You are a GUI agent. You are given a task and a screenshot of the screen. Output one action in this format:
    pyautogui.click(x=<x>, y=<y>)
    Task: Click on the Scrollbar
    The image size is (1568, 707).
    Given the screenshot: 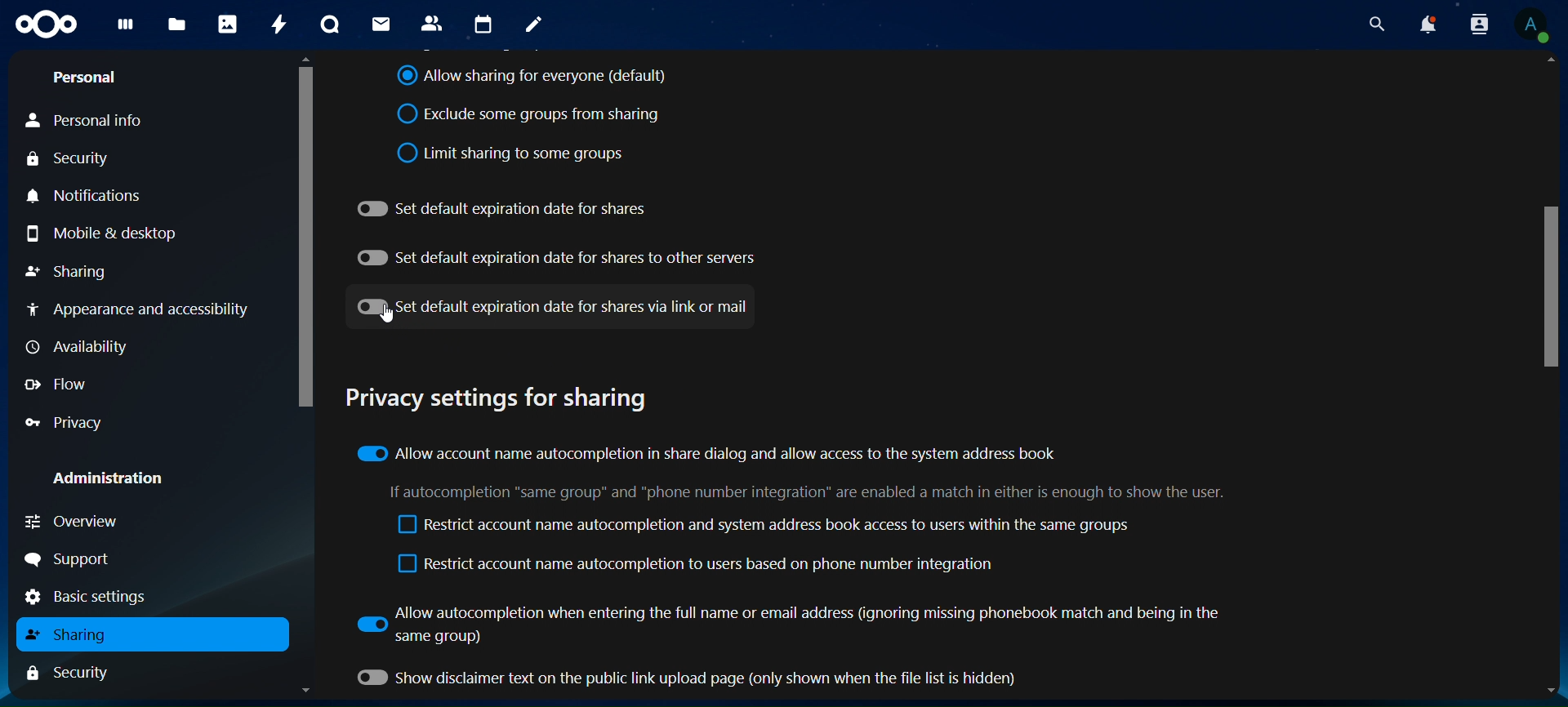 What is the action you would take?
    pyautogui.click(x=301, y=378)
    